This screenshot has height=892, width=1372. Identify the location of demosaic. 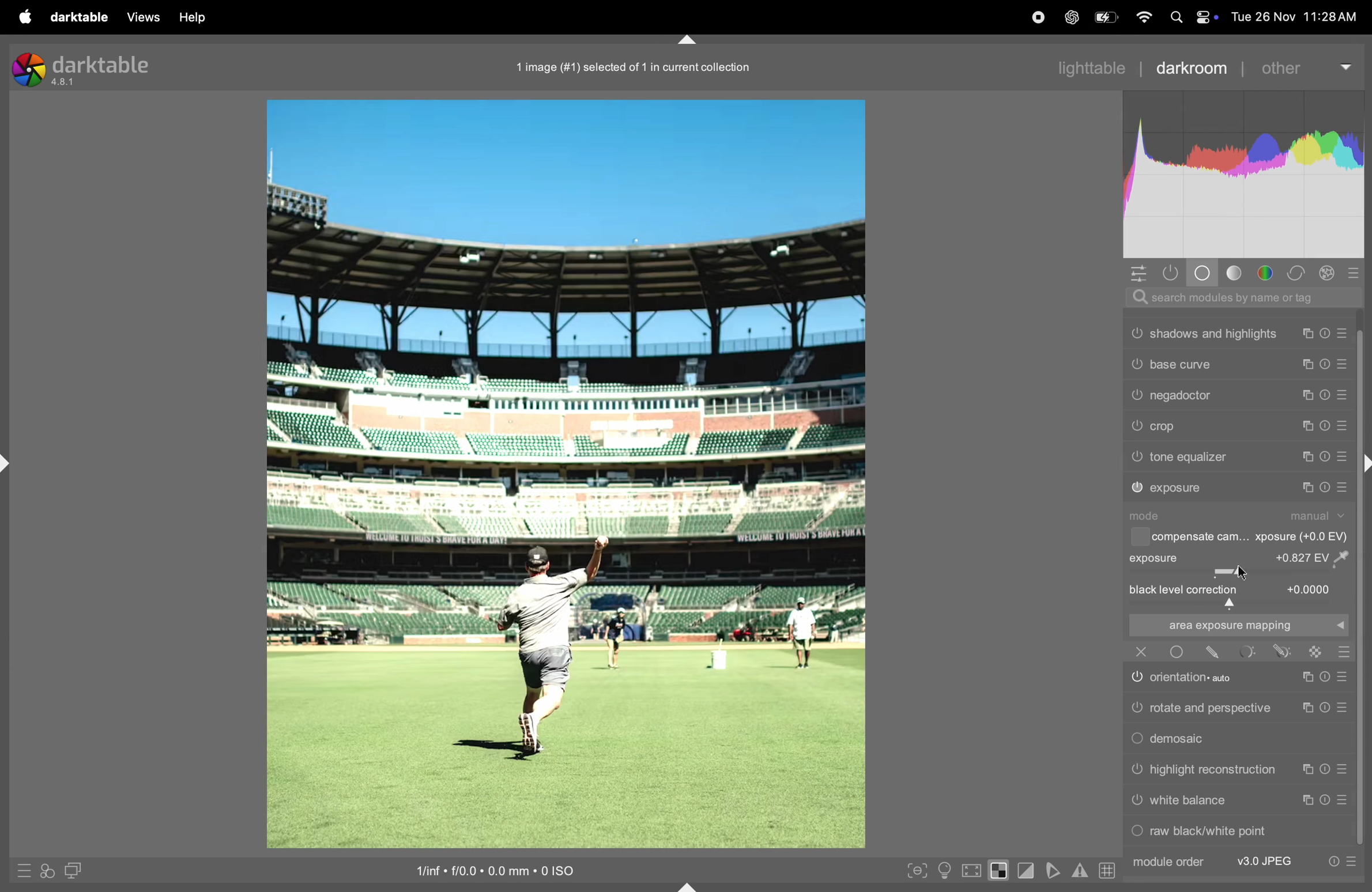
(1182, 739).